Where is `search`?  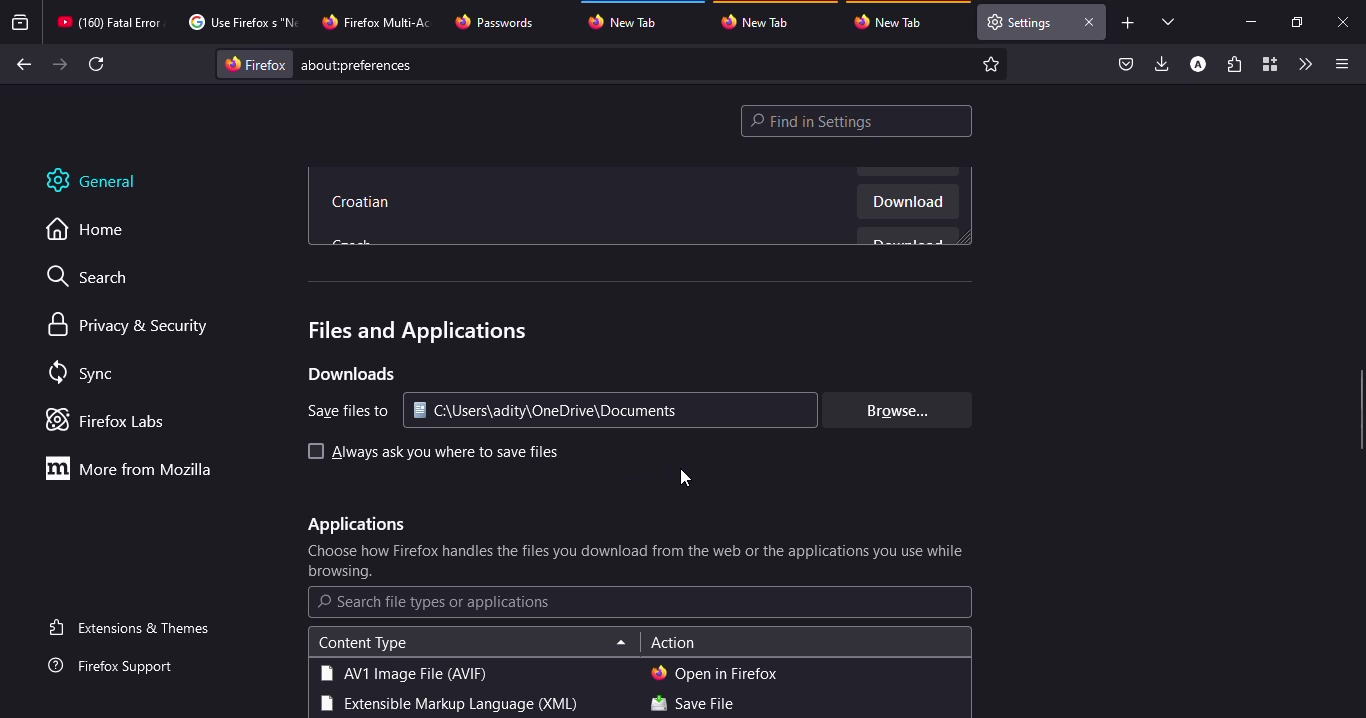 search is located at coordinates (435, 602).